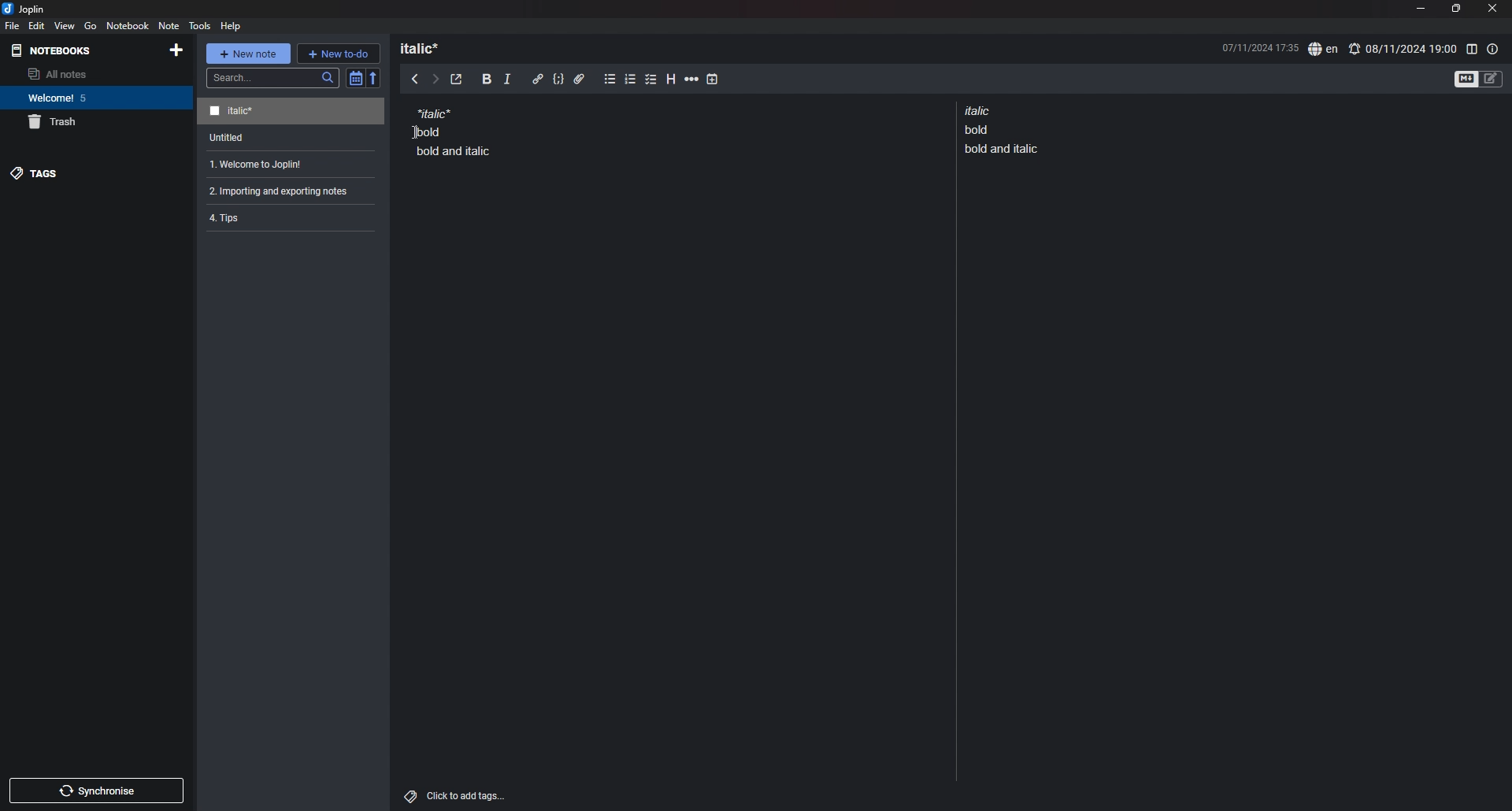 This screenshot has height=811, width=1512. I want to click on toggle external editor, so click(457, 80).